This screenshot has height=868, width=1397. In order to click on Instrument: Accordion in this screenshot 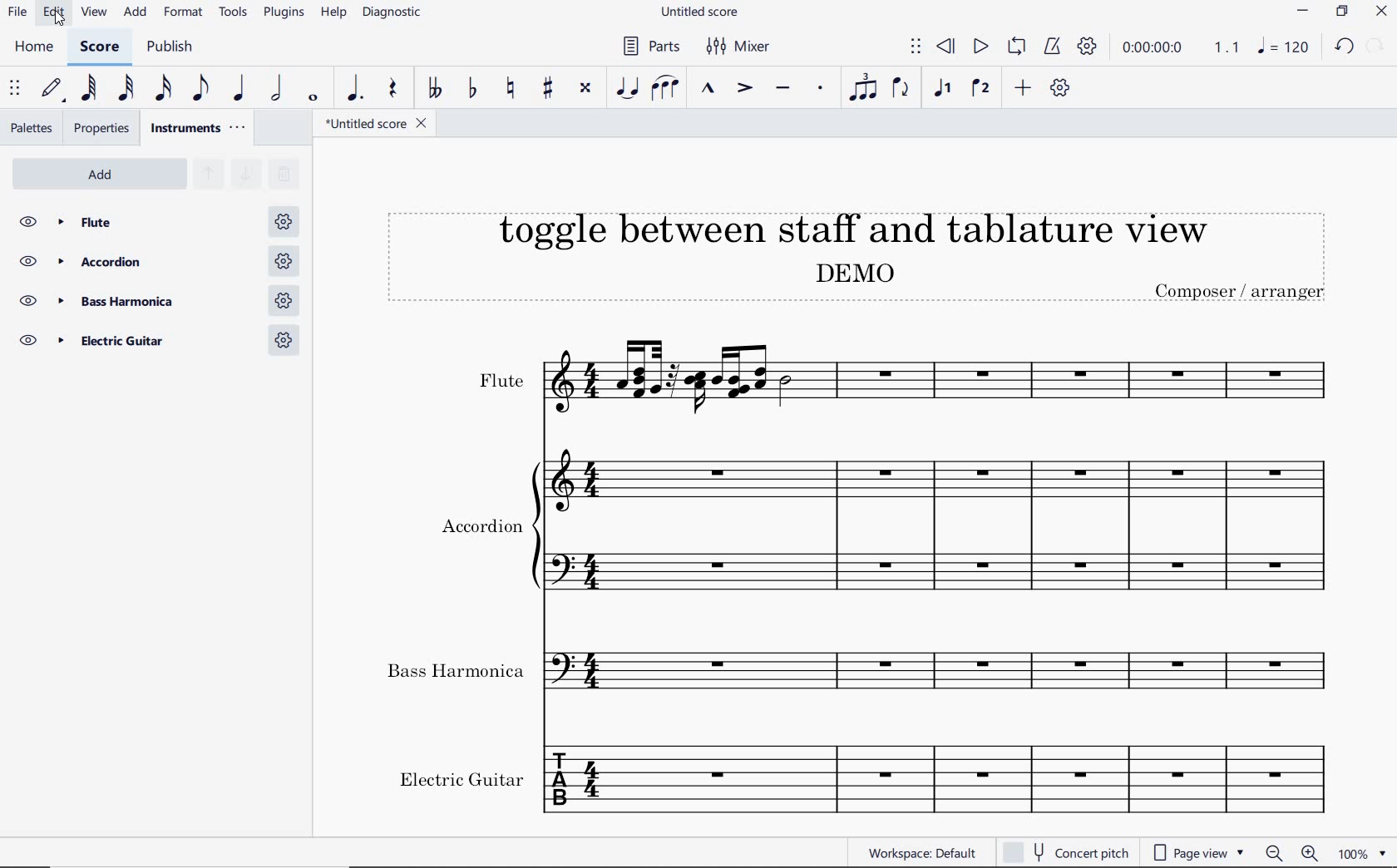, I will do `click(868, 534)`.